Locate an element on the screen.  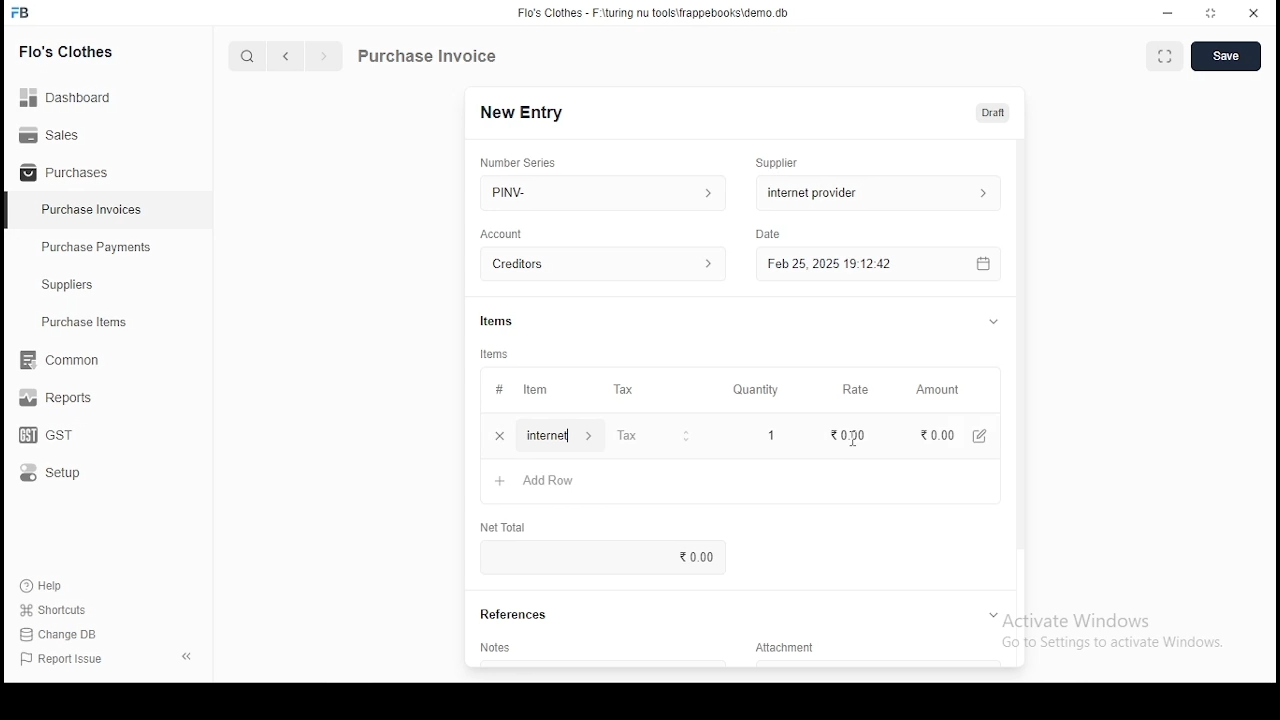
close pane is located at coordinates (185, 655).